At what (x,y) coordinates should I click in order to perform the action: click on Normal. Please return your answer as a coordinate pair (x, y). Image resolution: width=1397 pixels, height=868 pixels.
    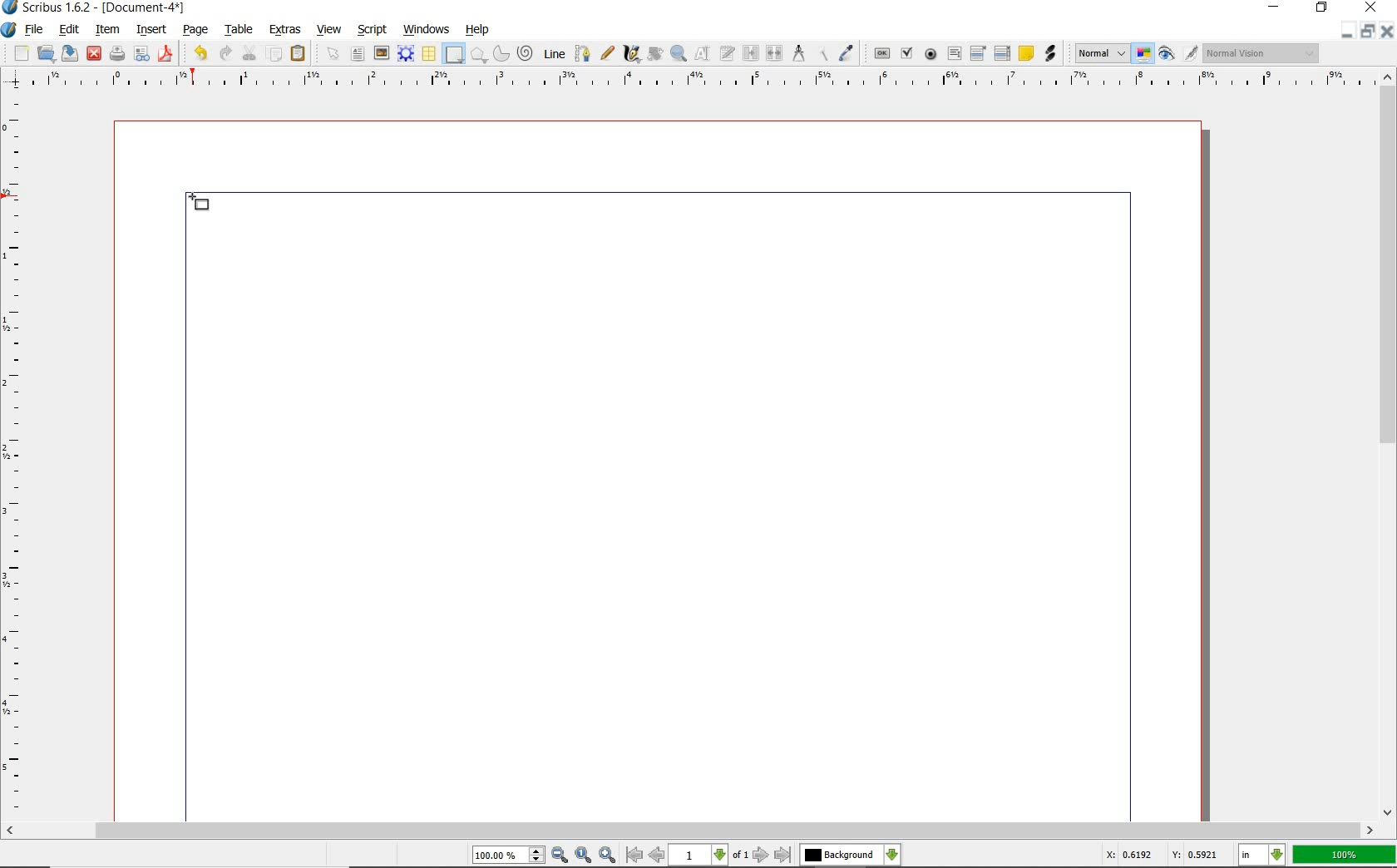
    Looking at the image, I should click on (1101, 53).